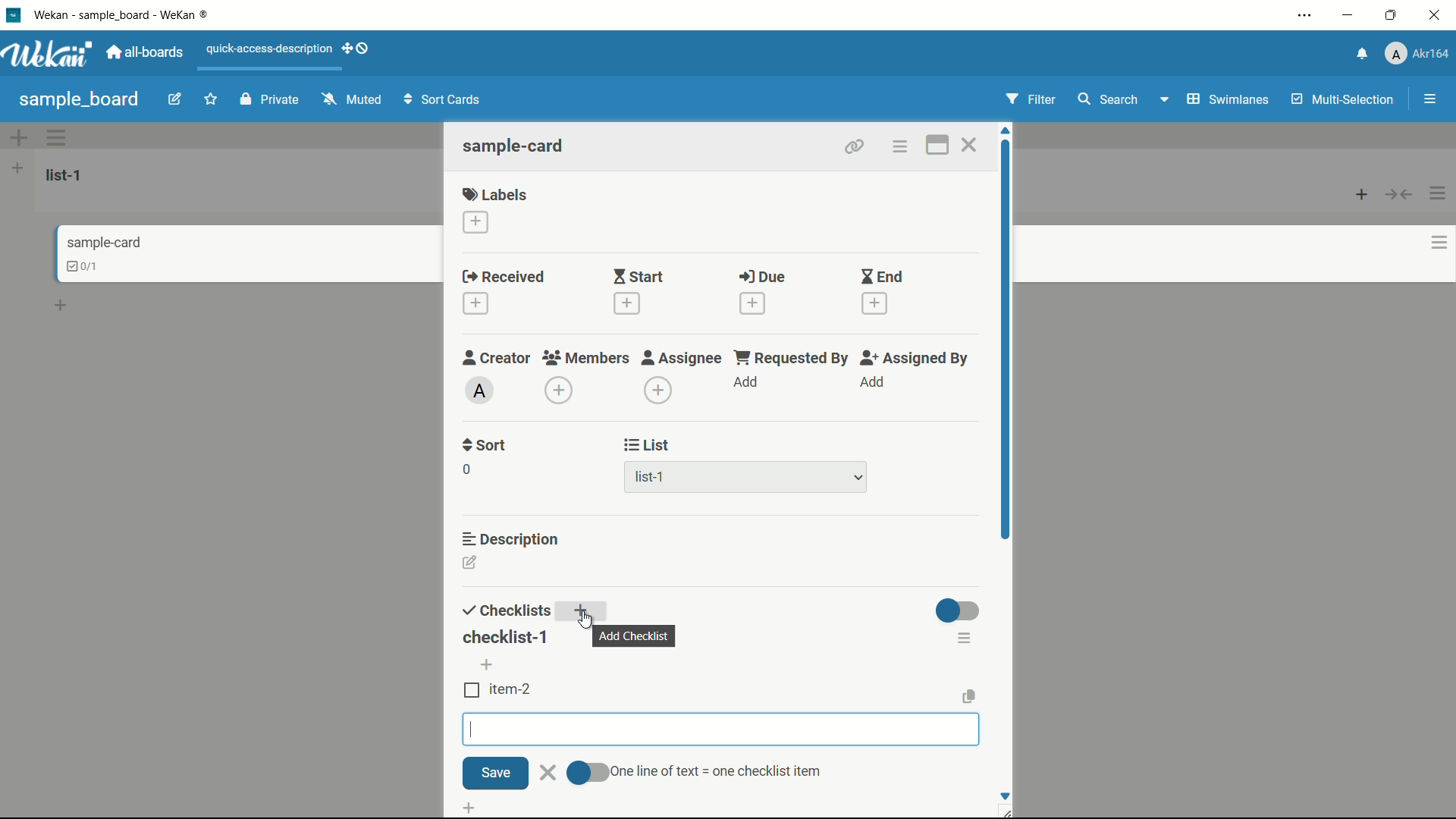 The image size is (1456, 819). I want to click on close card, so click(968, 147).